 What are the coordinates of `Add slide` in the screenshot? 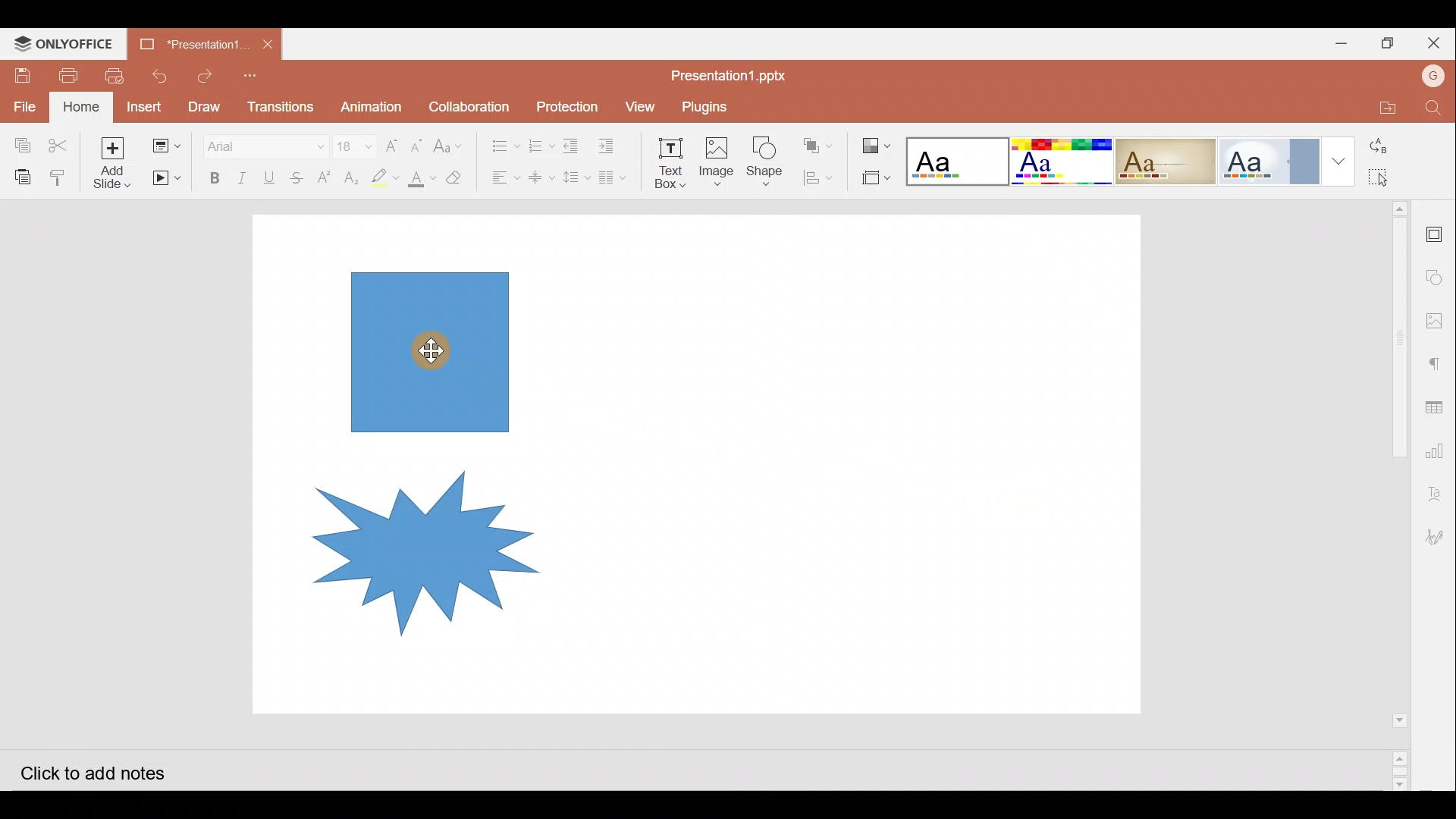 It's located at (111, 162).